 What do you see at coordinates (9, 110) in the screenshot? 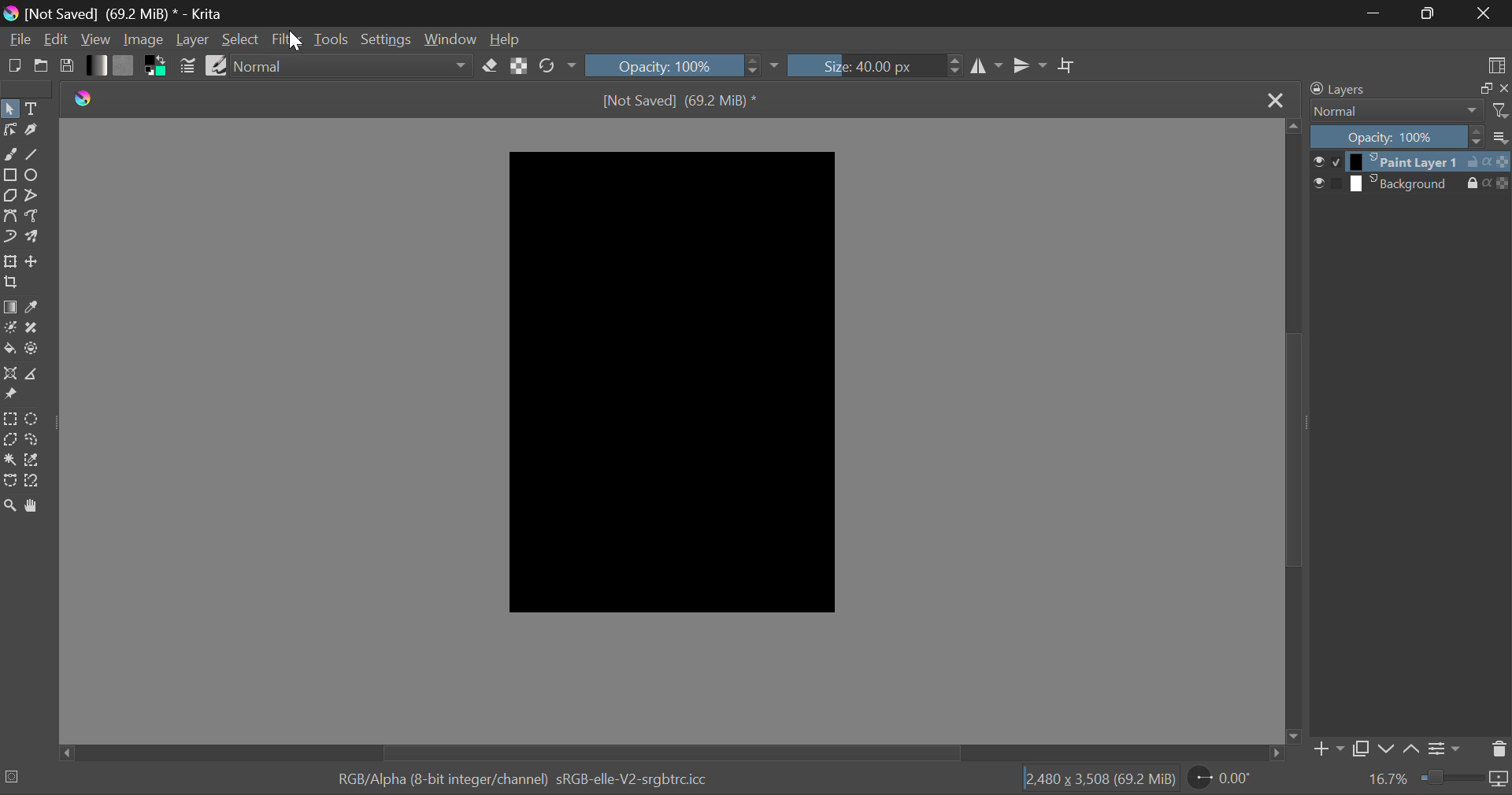
I see `Select` at bounding box center [9, 110].